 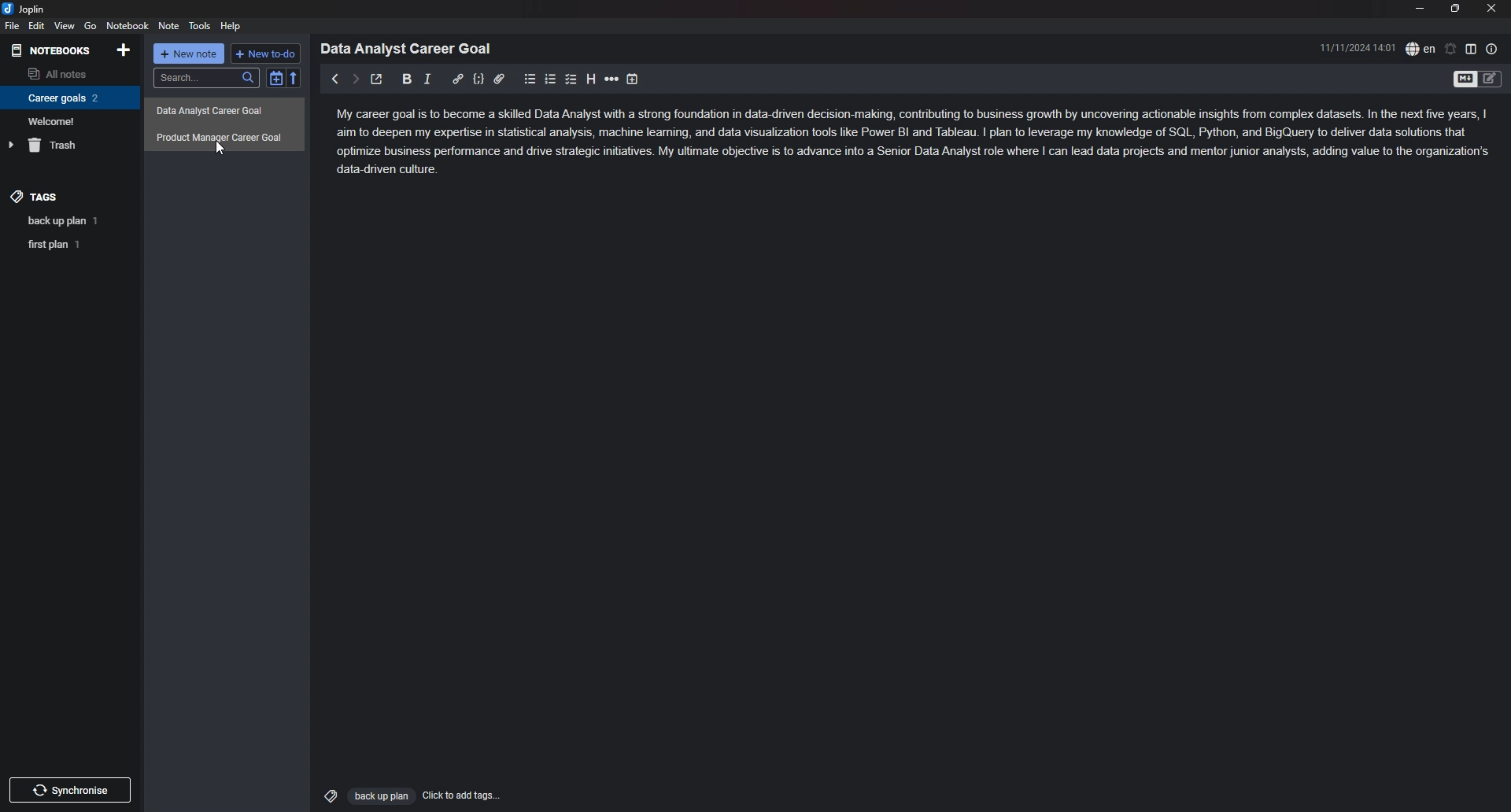 I want to click on hyperlink, so click(x=457, y=79).